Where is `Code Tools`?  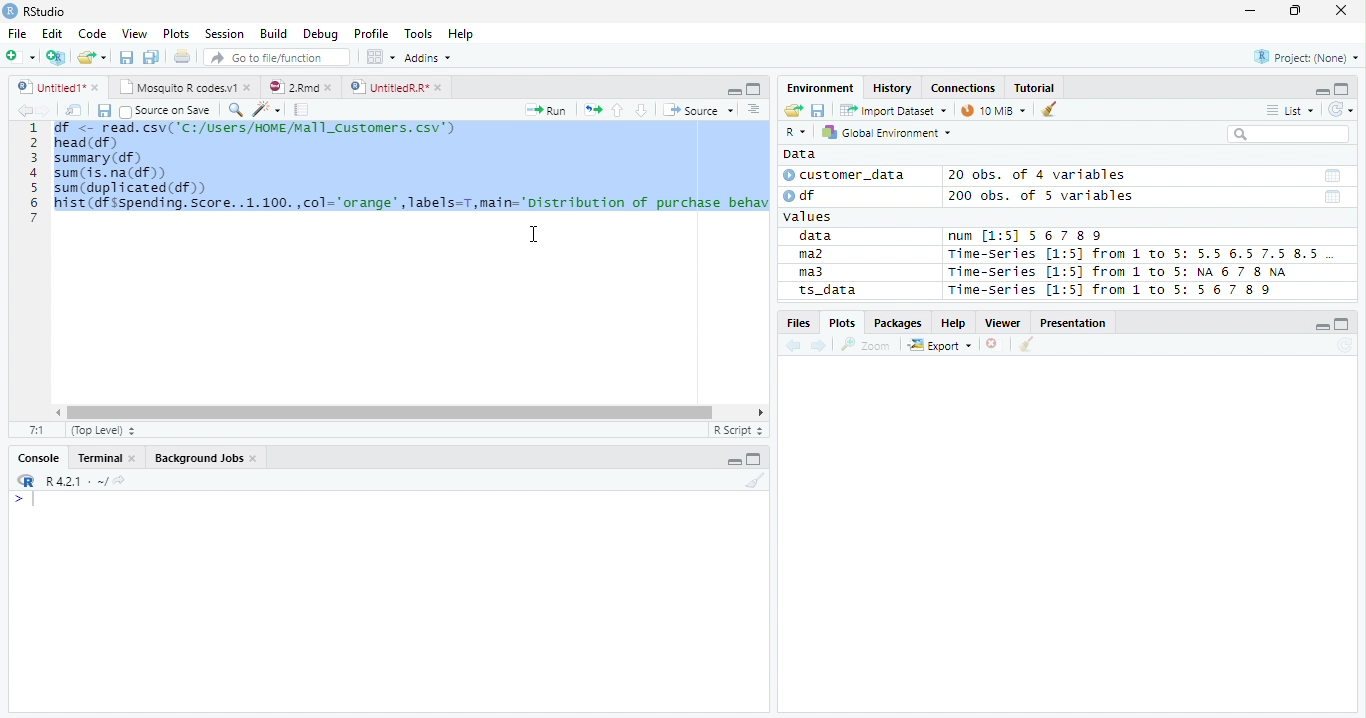 Code Tools is located at coordinates (266, 110).